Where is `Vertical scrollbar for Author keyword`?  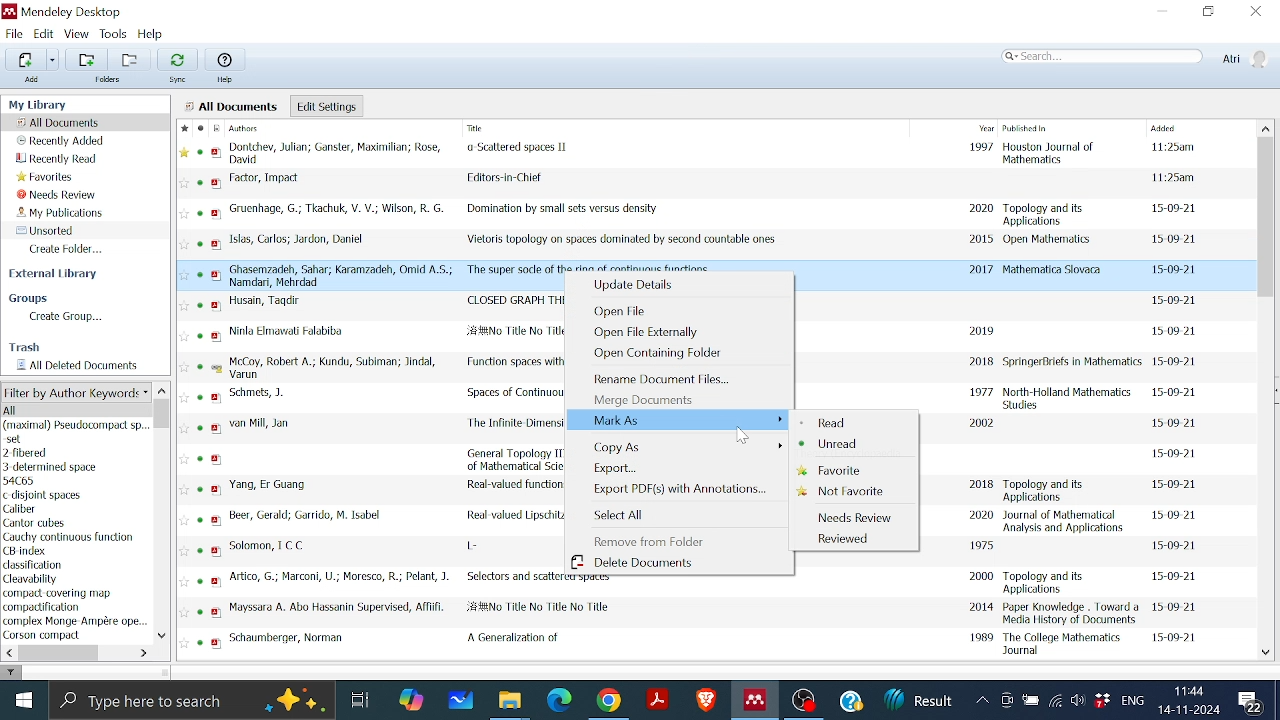 Vertical scrollbar for Author keyword is located at coordinates (161, 414).